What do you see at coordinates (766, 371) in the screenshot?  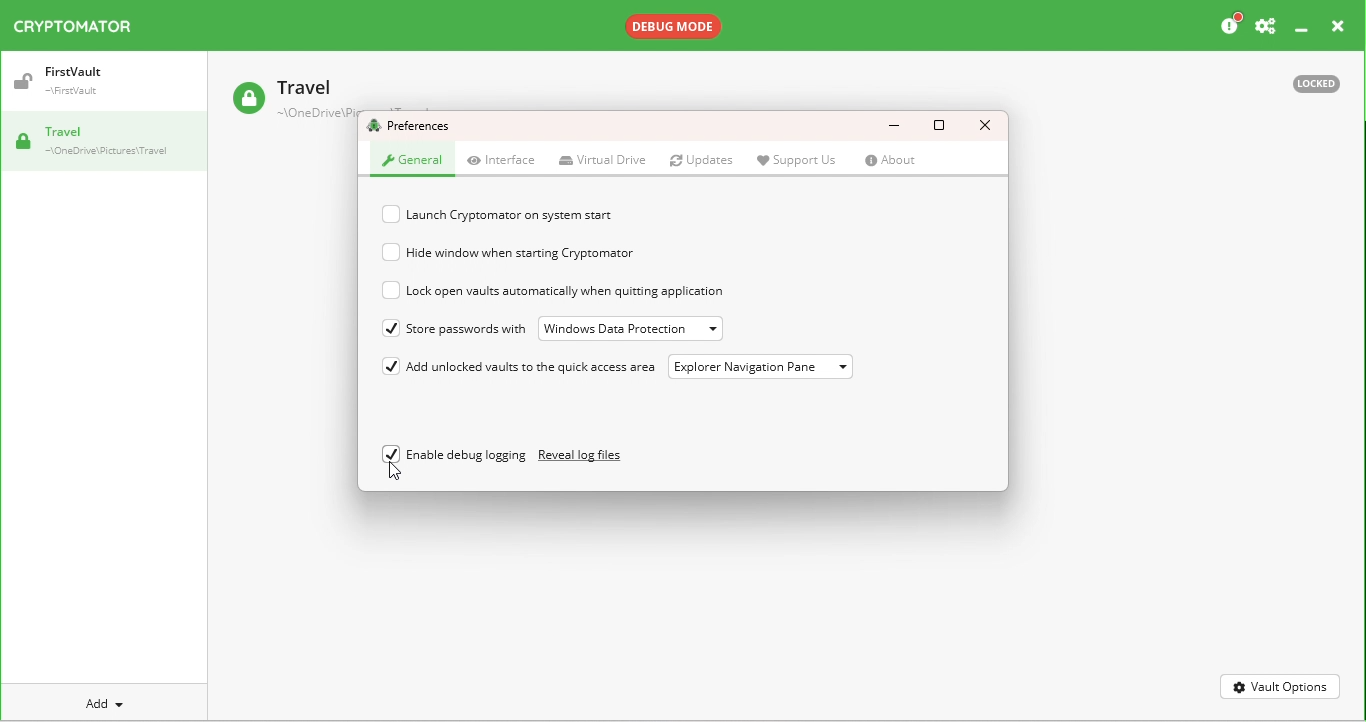 I see `Explore navigation pane` at bounding box center [766, 371].